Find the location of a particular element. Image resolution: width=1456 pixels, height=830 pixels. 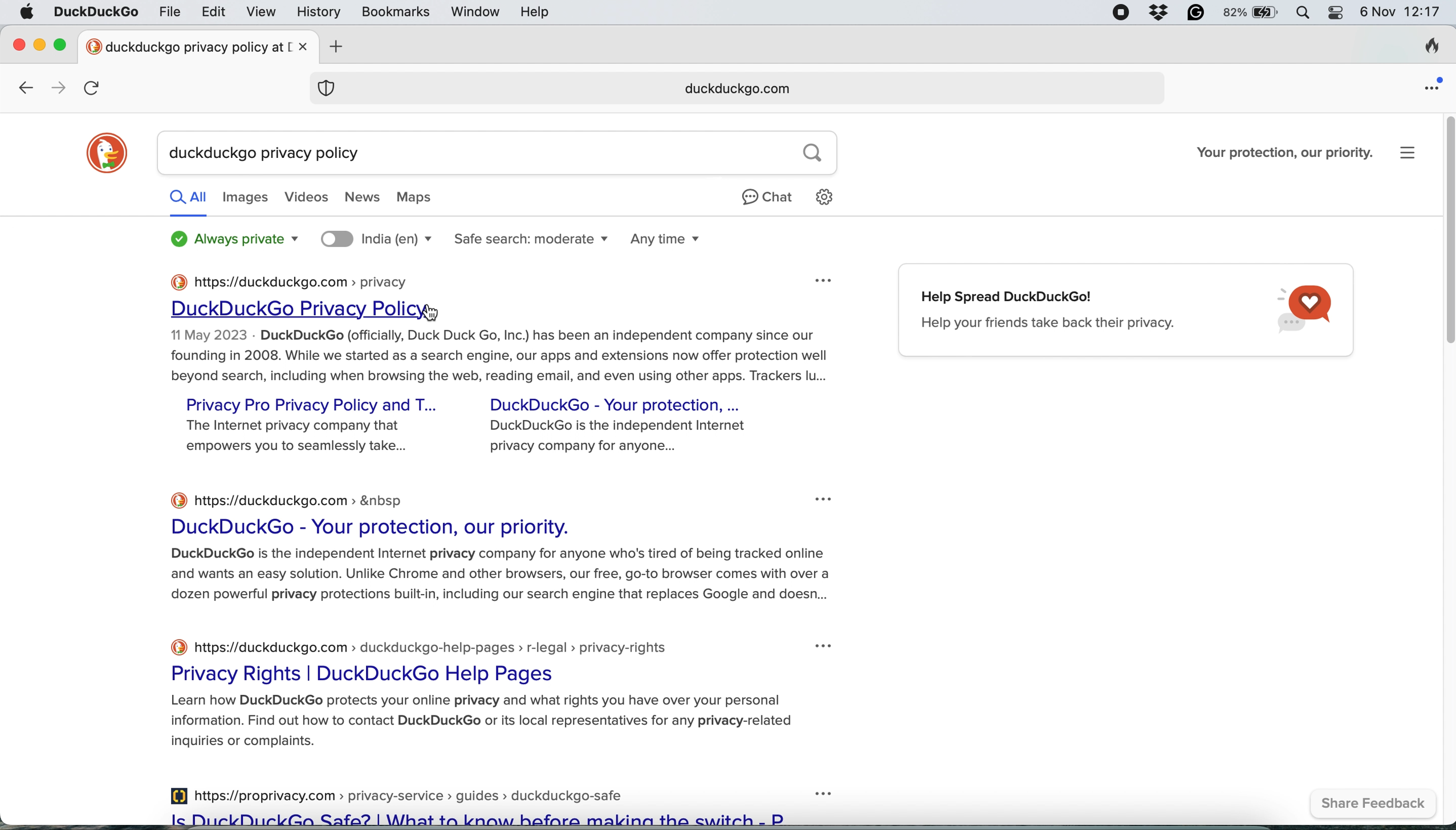

view is located at coordinates (262, 13).